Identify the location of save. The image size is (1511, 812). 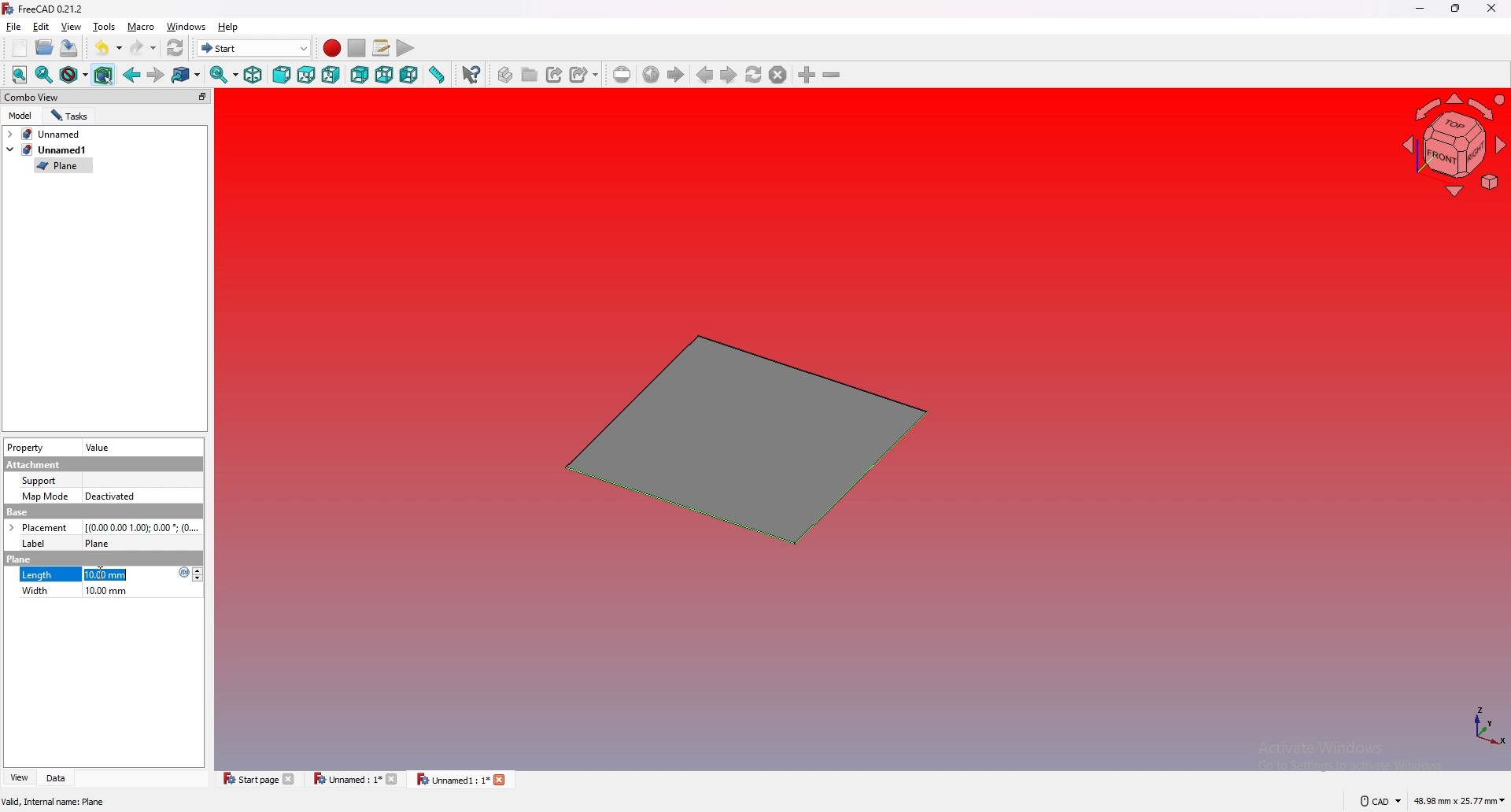
(68, 49).